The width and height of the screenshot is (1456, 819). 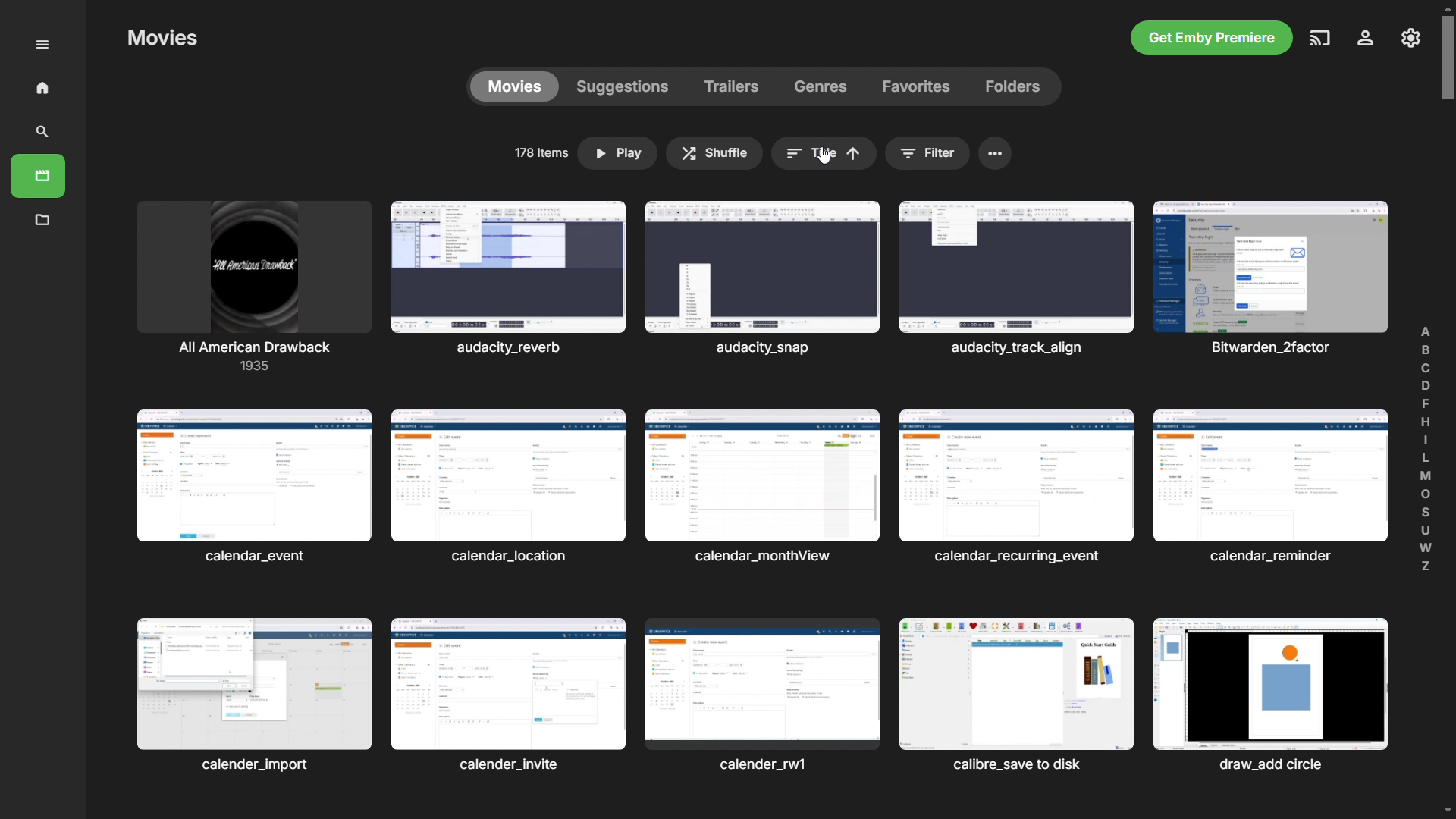 I want to click on , so click(x=1019, y=695).